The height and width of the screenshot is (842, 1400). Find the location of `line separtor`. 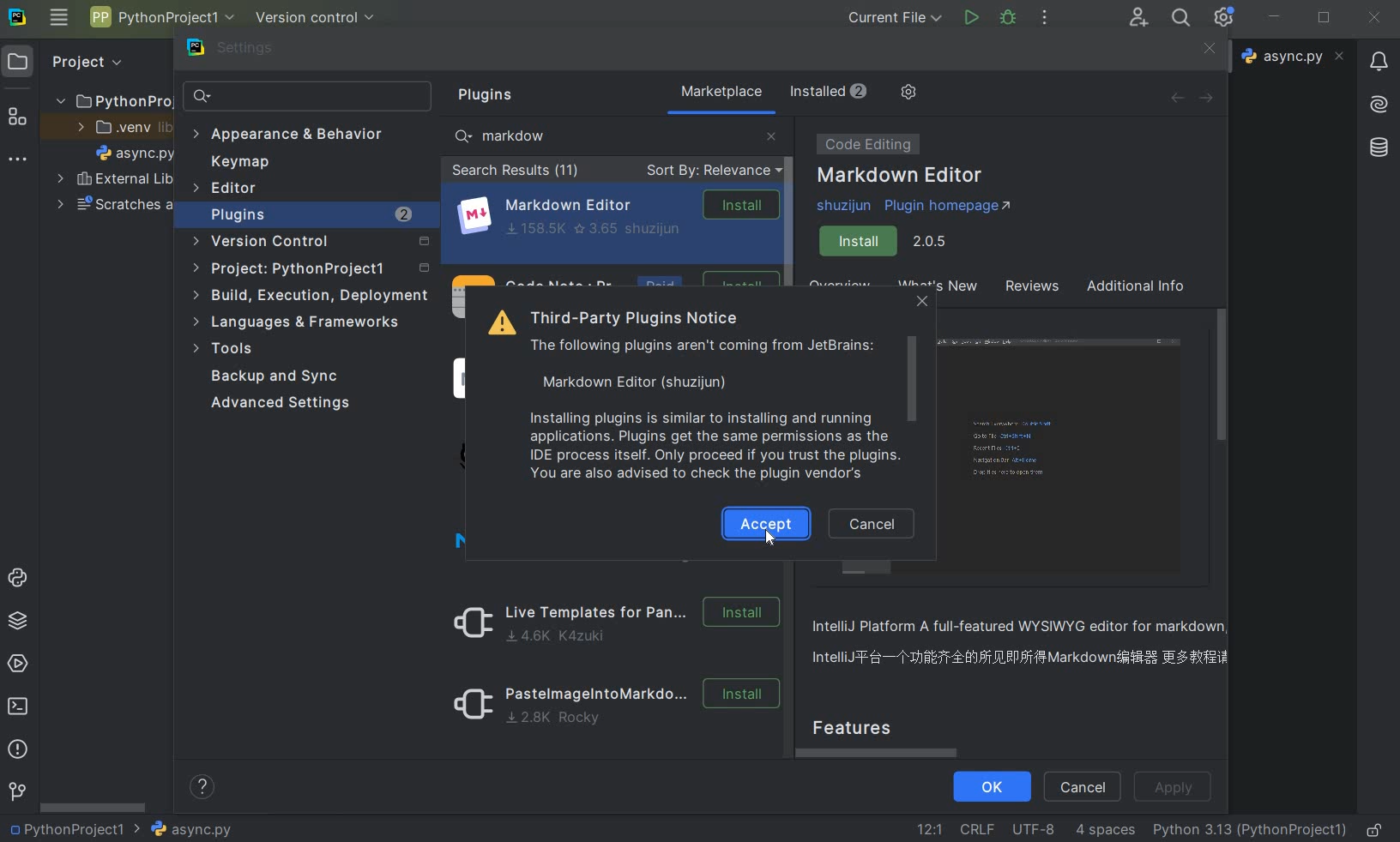

line separtor is located at coordinates (975, 828).